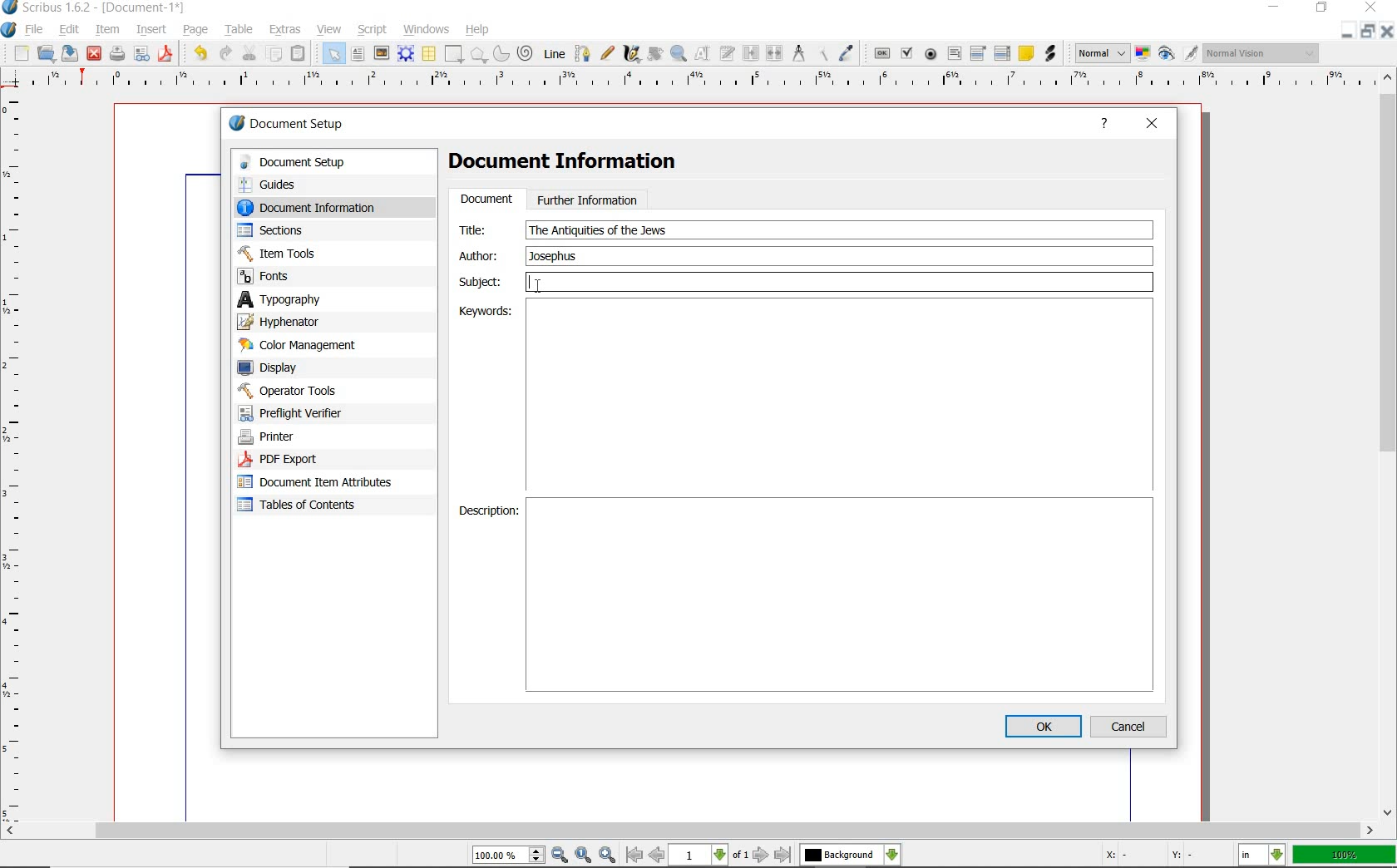  Describe the element at coordinates (908, 52) in the screenshot. I see `pdf check box` at that location.